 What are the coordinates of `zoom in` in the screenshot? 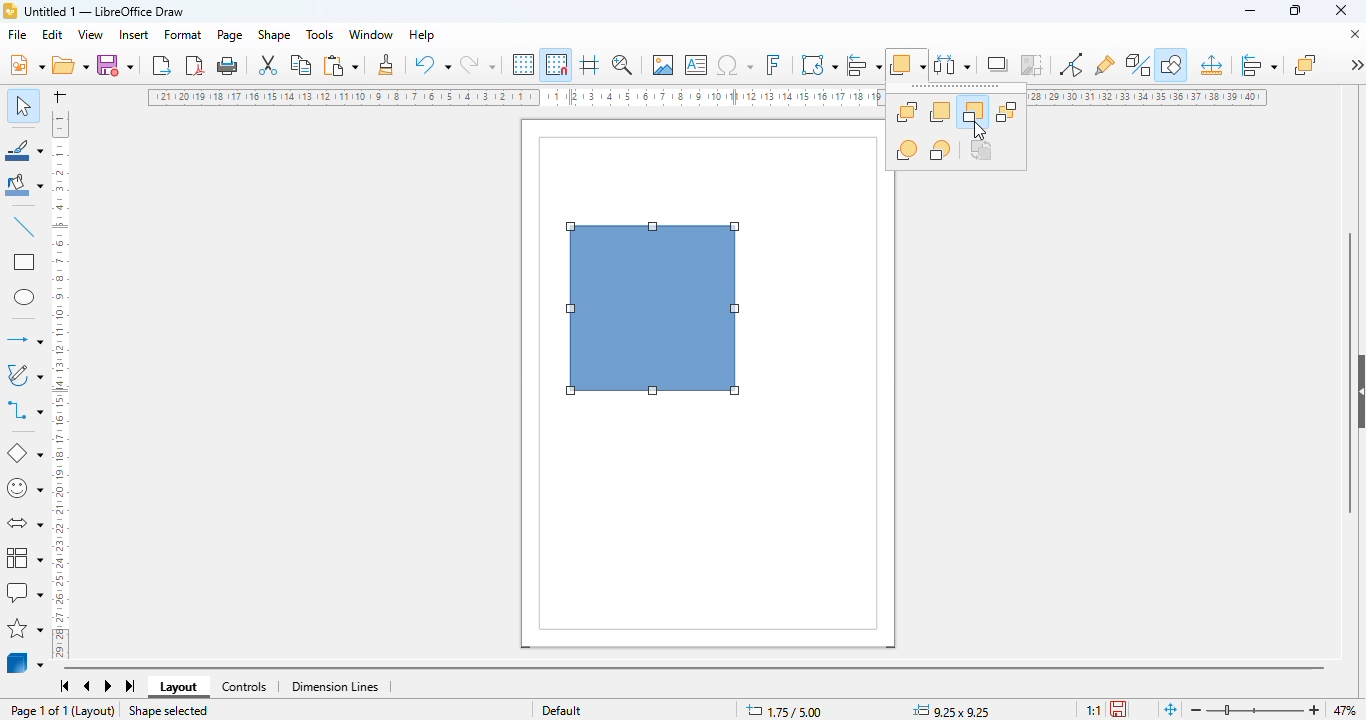 It's located at (1316, 710).